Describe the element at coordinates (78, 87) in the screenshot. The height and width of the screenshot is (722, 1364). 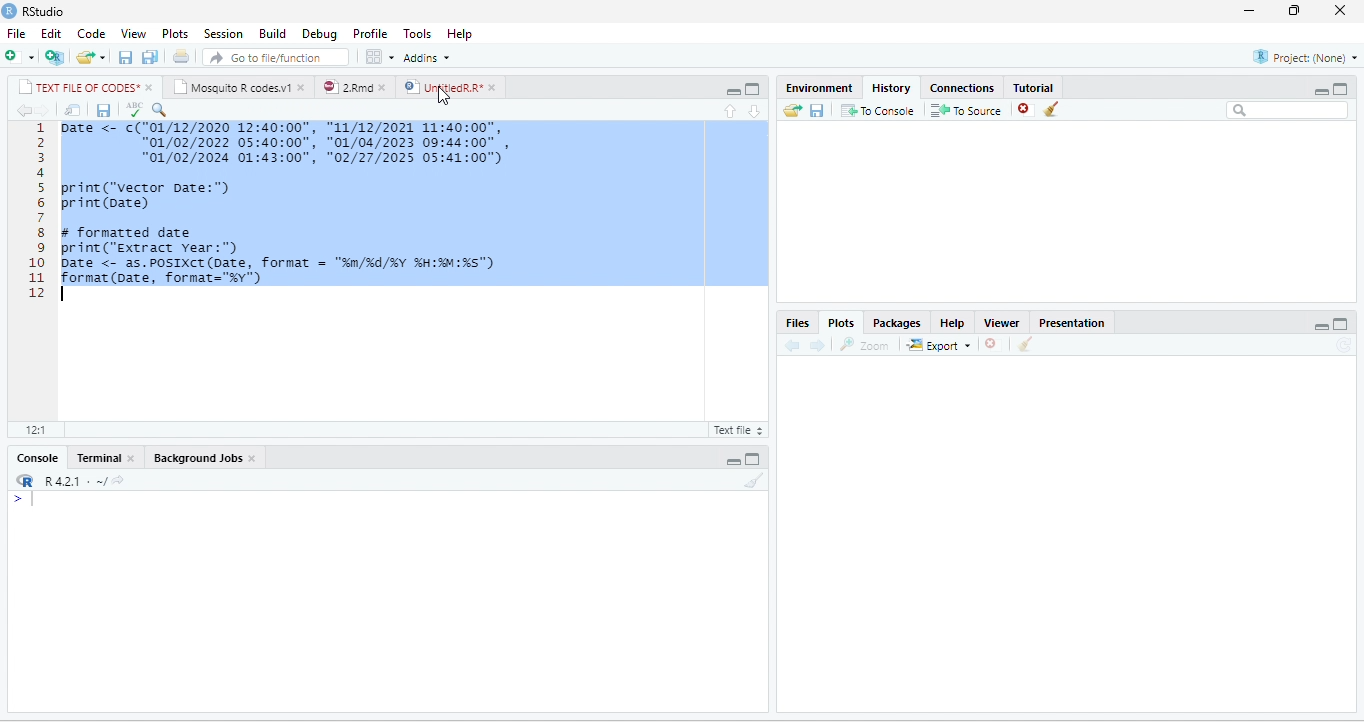
I see `TEXT FILE OF CODES` at that location.